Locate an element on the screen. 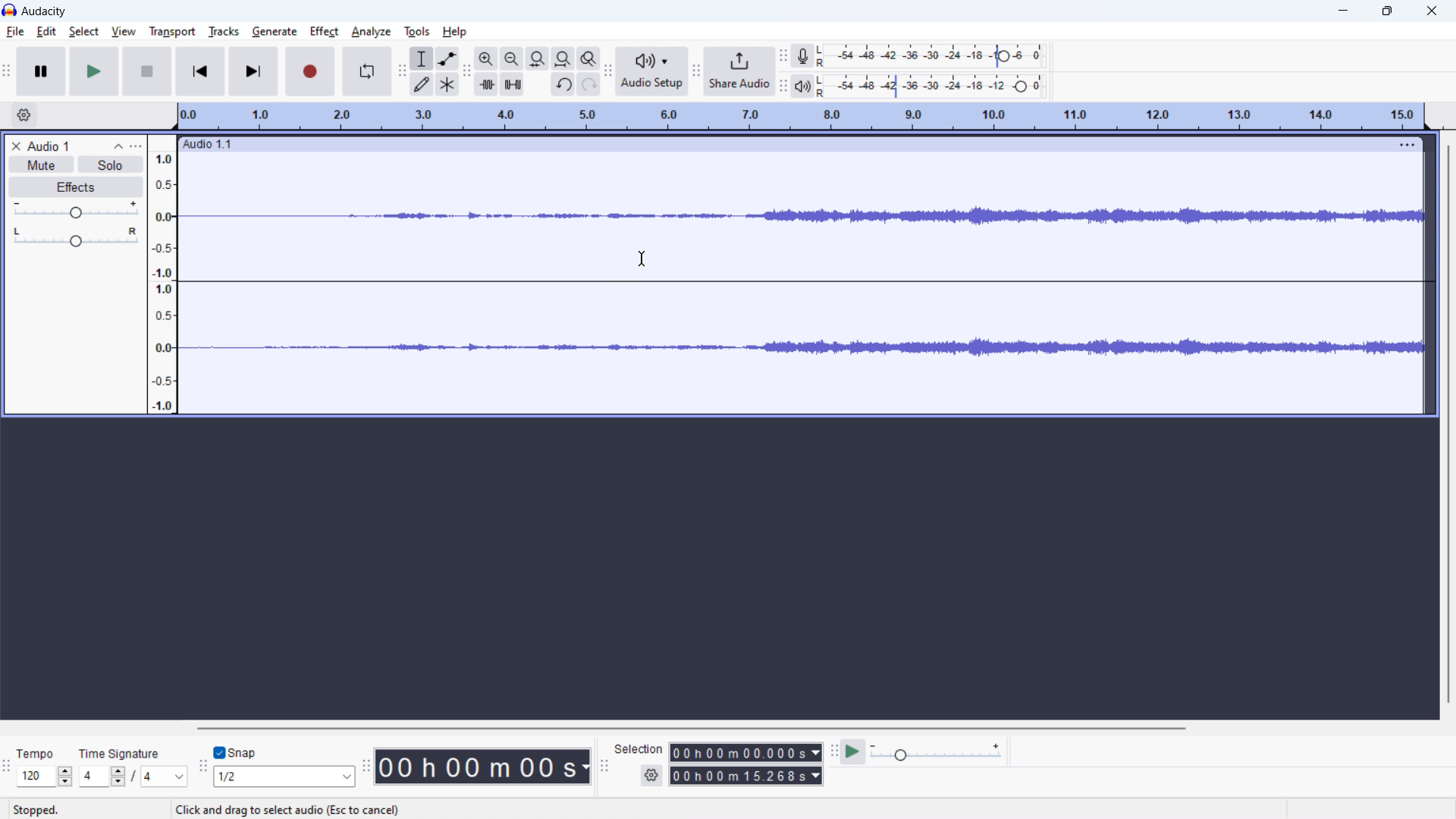 The width and height of the screenshot is (1456, 819). recording meter is located at coordinates (807, 55).